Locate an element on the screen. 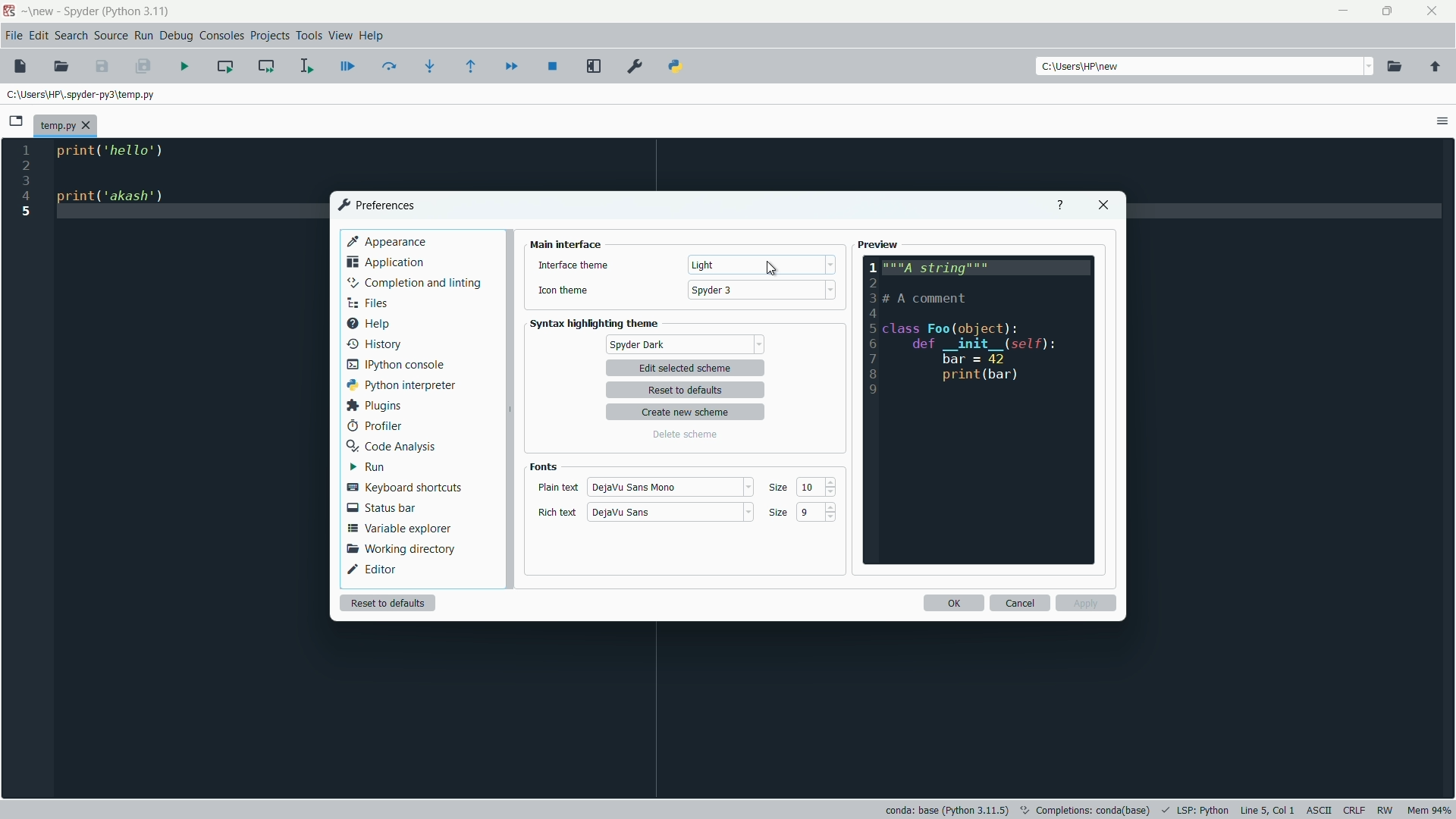  status bar is located at coordinates (380, 507).